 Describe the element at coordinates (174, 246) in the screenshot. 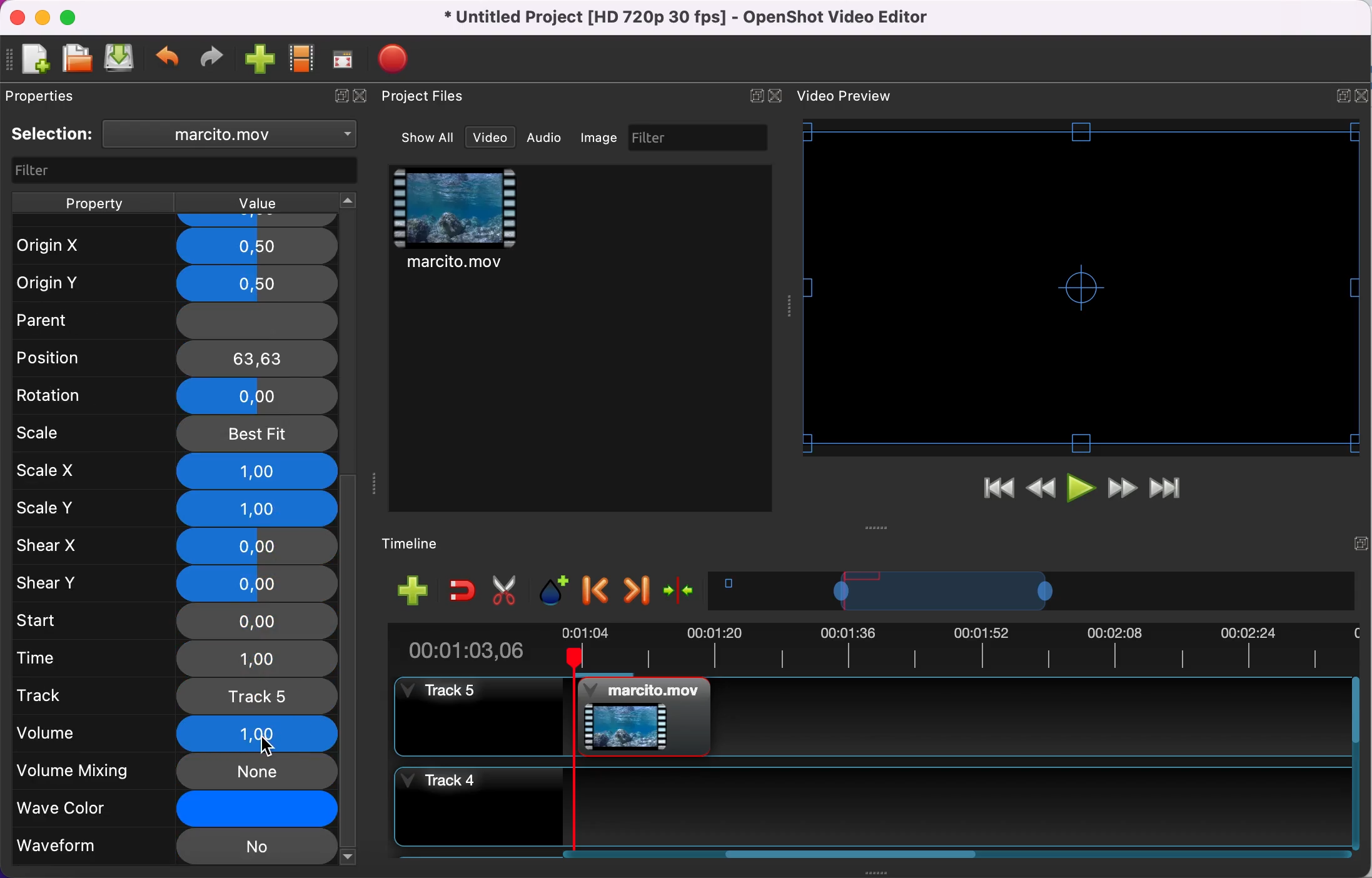

I see `Origin X` at that location.